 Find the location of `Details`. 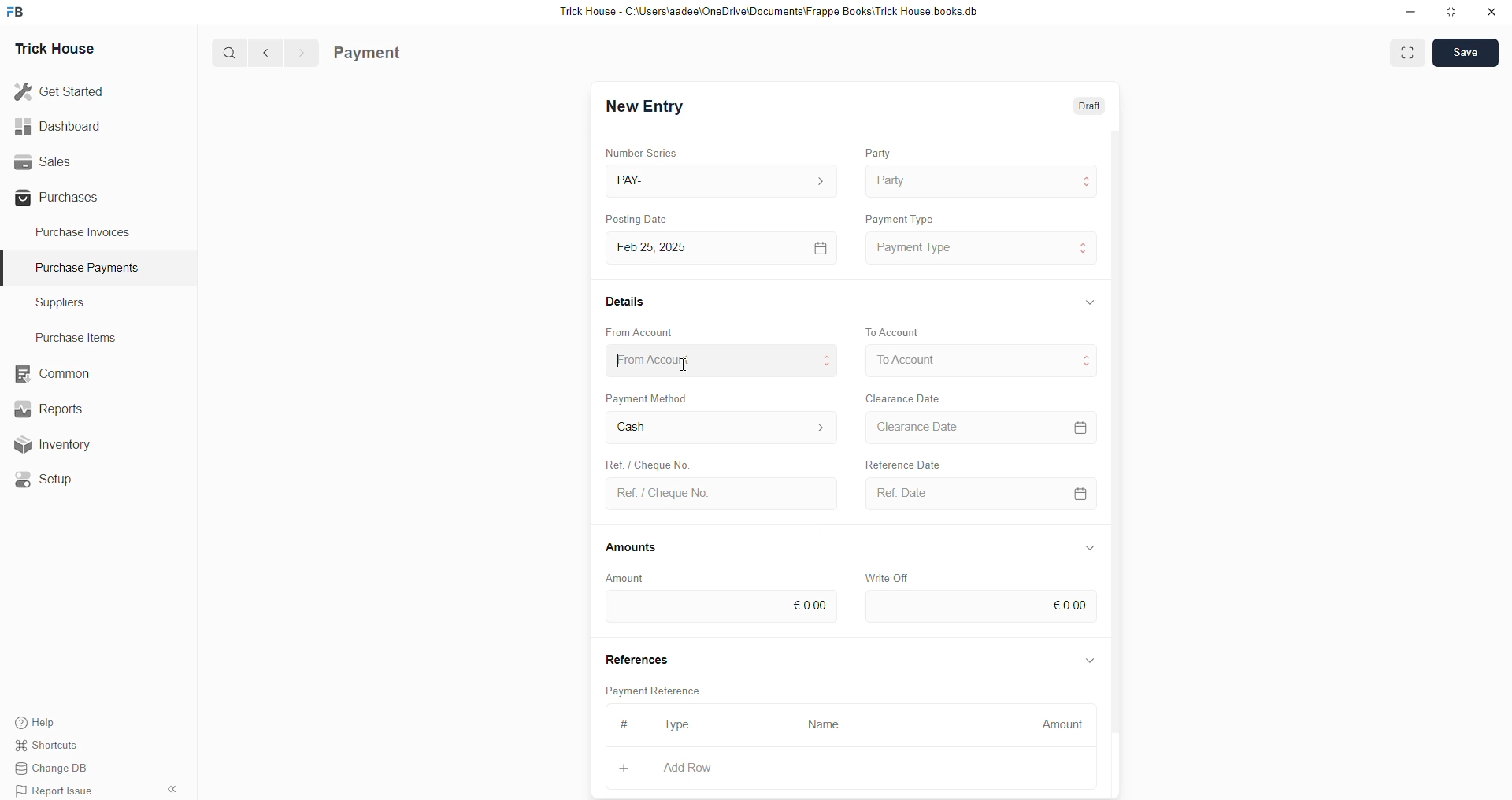

Details is located at coordinates (628, 300).